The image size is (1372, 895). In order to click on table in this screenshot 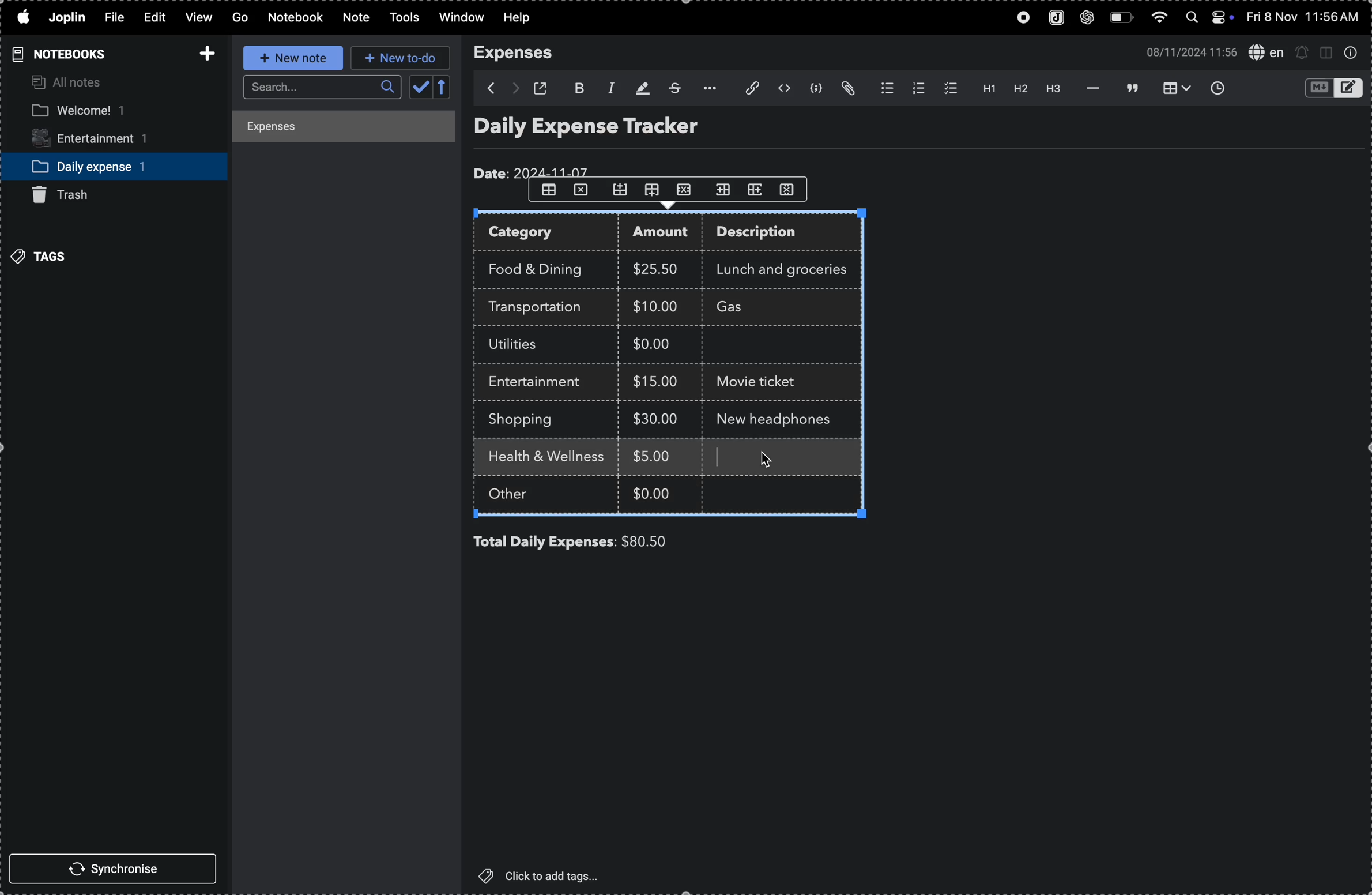, I will do `click(548, 190)`.